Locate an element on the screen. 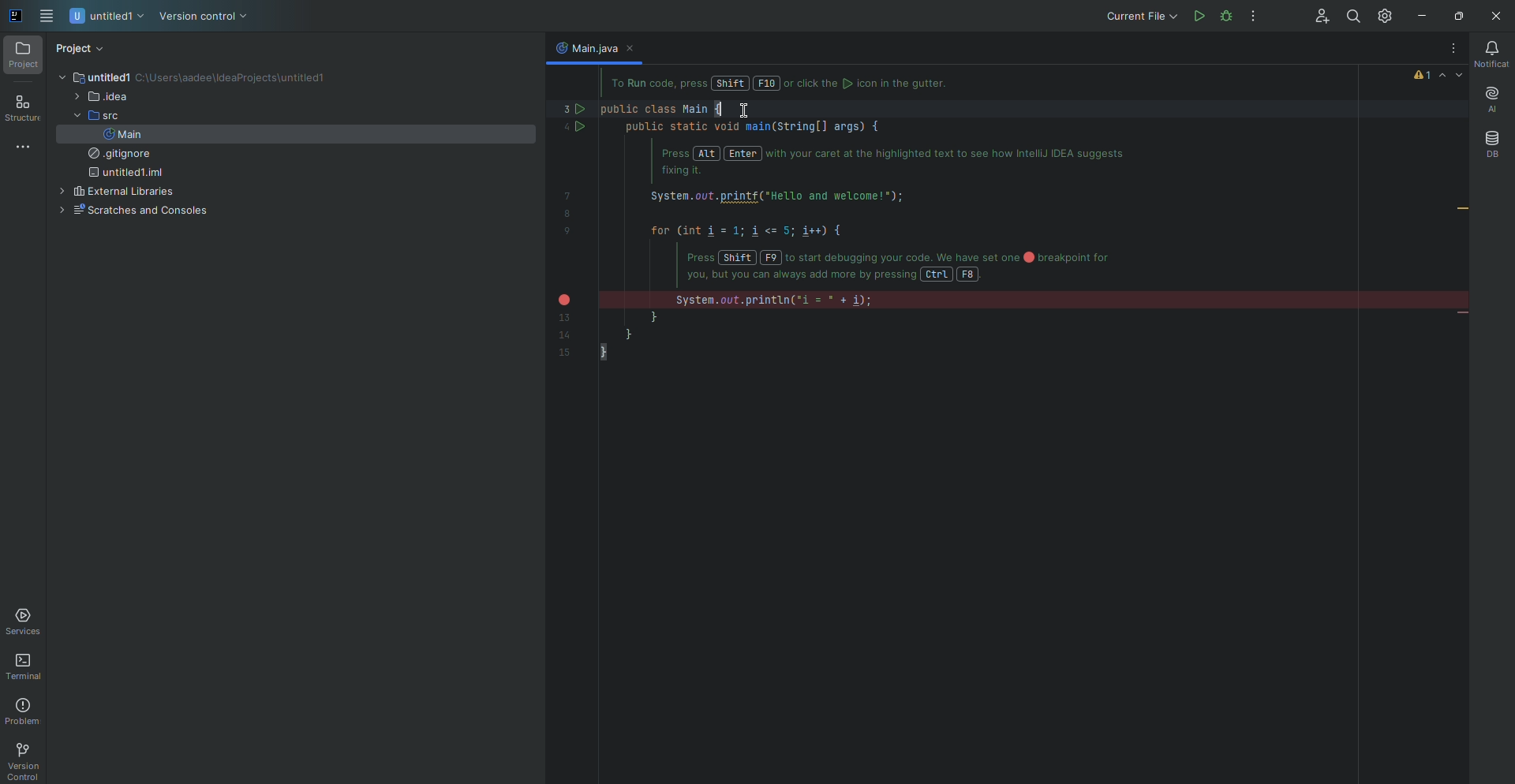 Image resolution: width=1515 pixels, height=784 pixels. External Libraries is located at coordinates (114, 192).